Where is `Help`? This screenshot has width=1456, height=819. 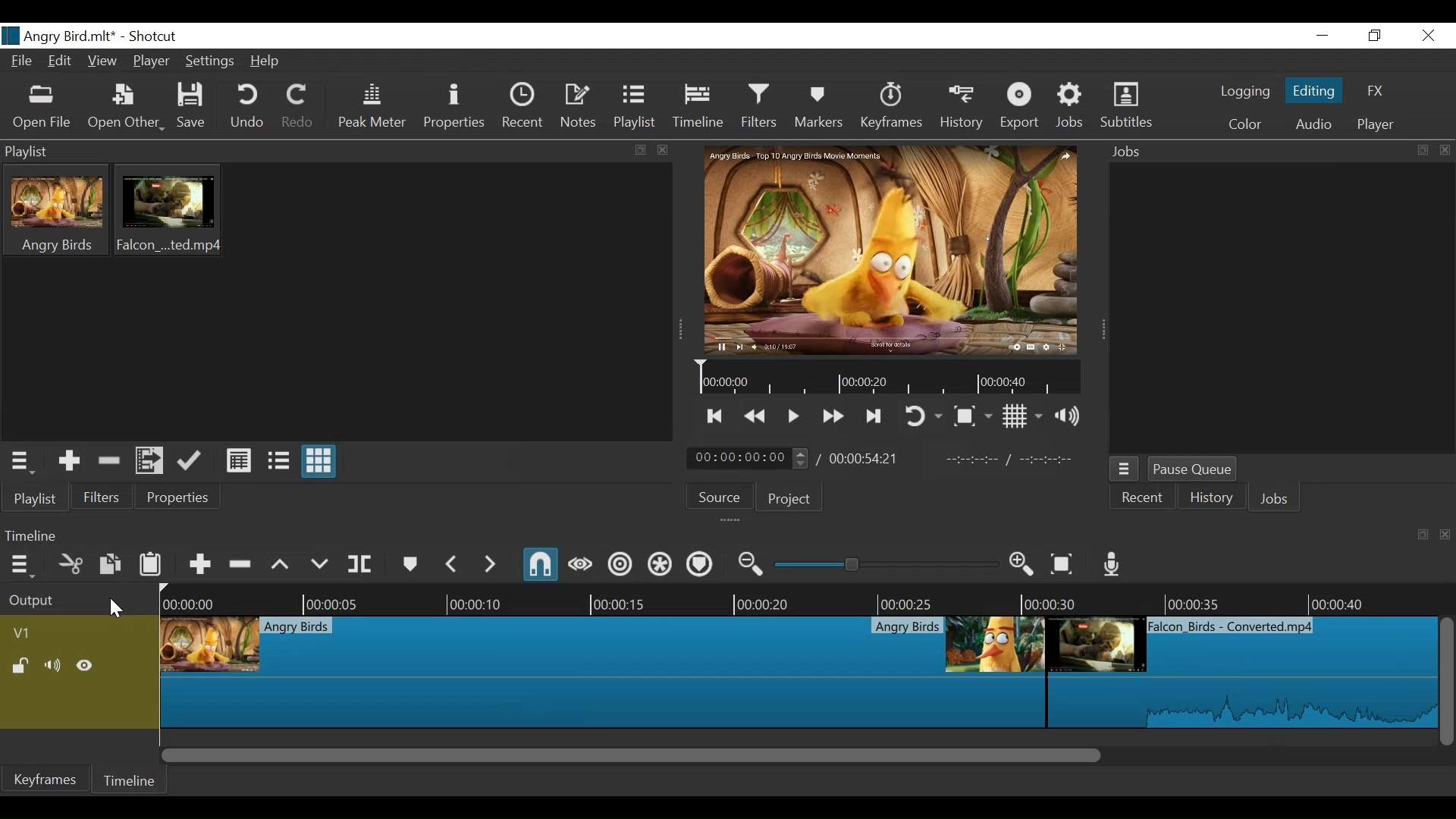 Help is located at coordinates (265, 62).